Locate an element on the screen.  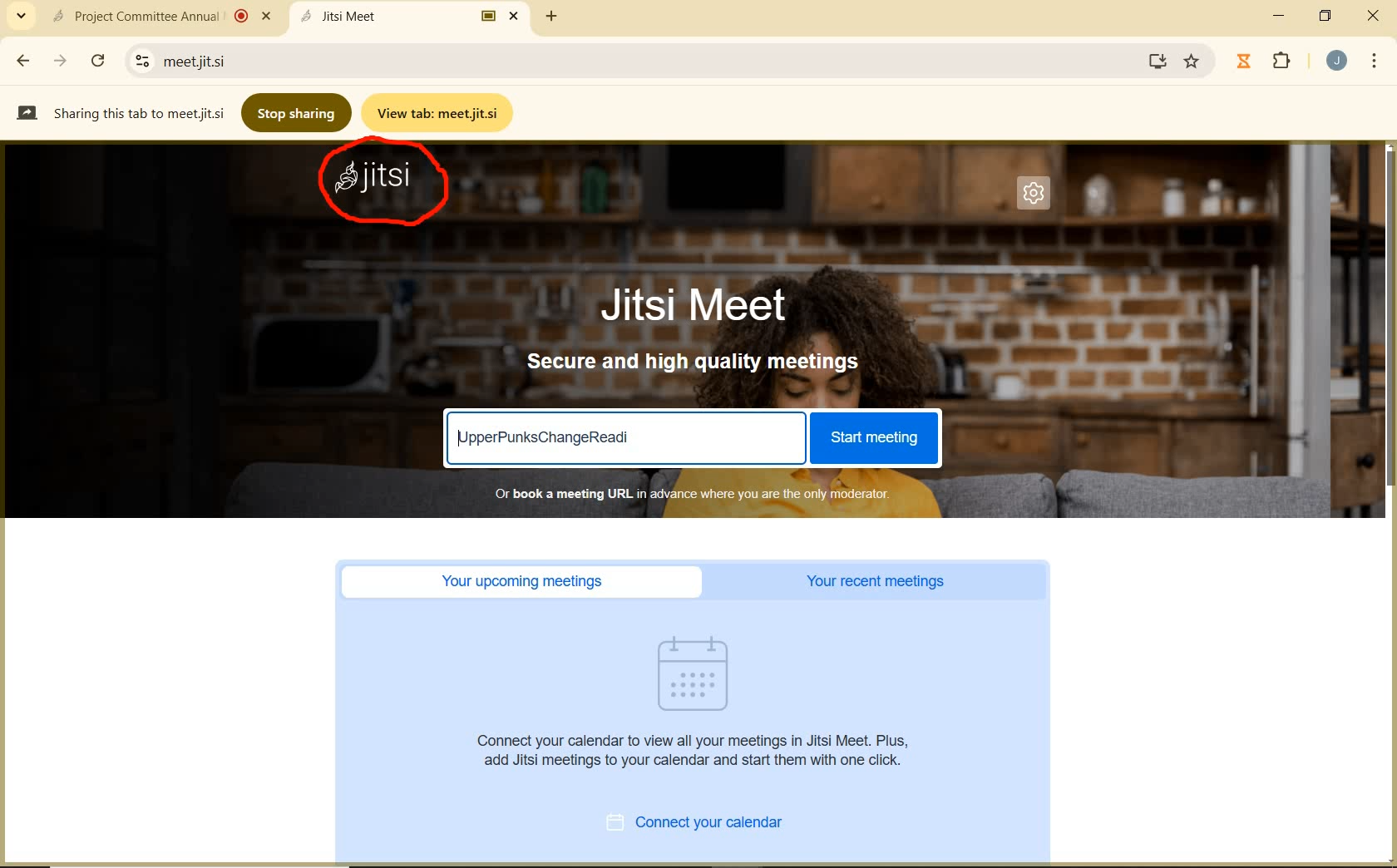
Start meeting is located at coordinates (872, 438).